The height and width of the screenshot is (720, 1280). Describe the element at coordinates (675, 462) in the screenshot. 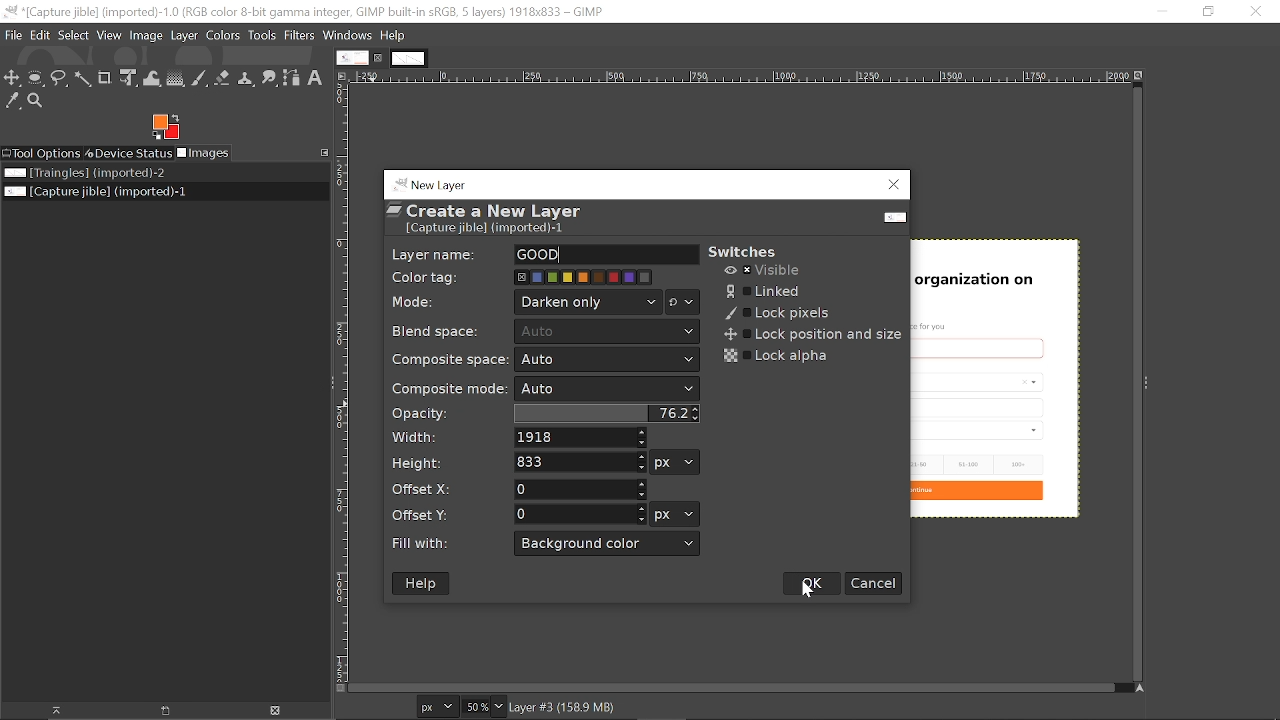

I see `Height units` at that location.